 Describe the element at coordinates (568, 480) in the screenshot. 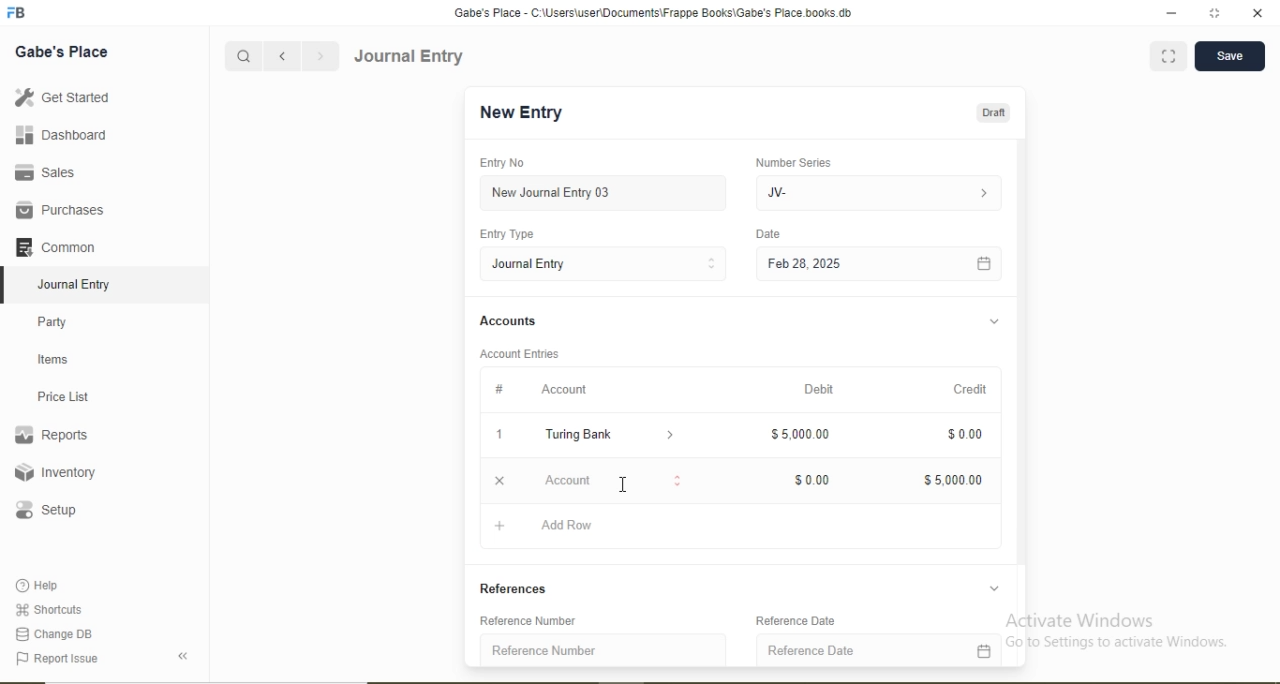

I see `Account` at that location.